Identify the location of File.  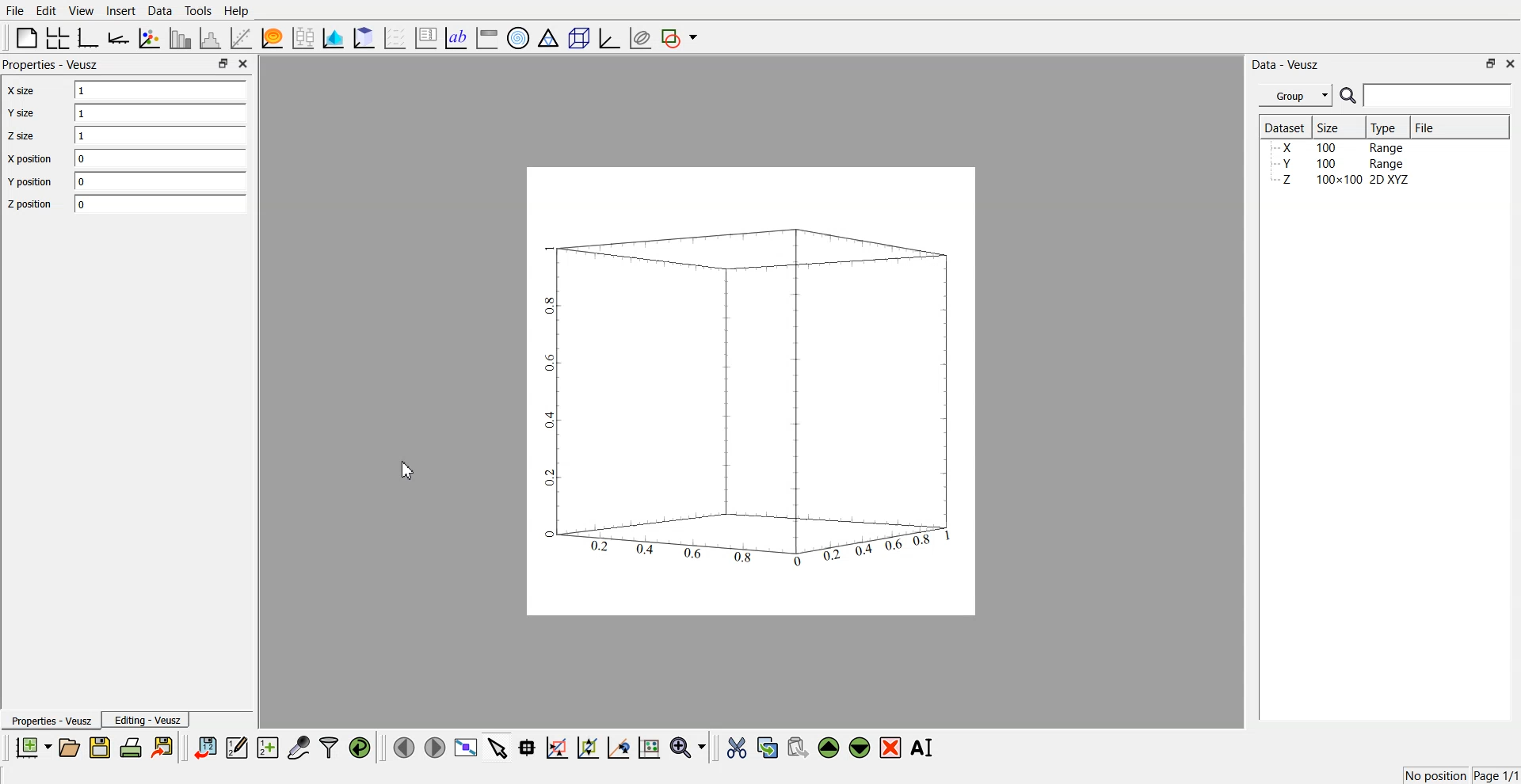
(1427, 127).